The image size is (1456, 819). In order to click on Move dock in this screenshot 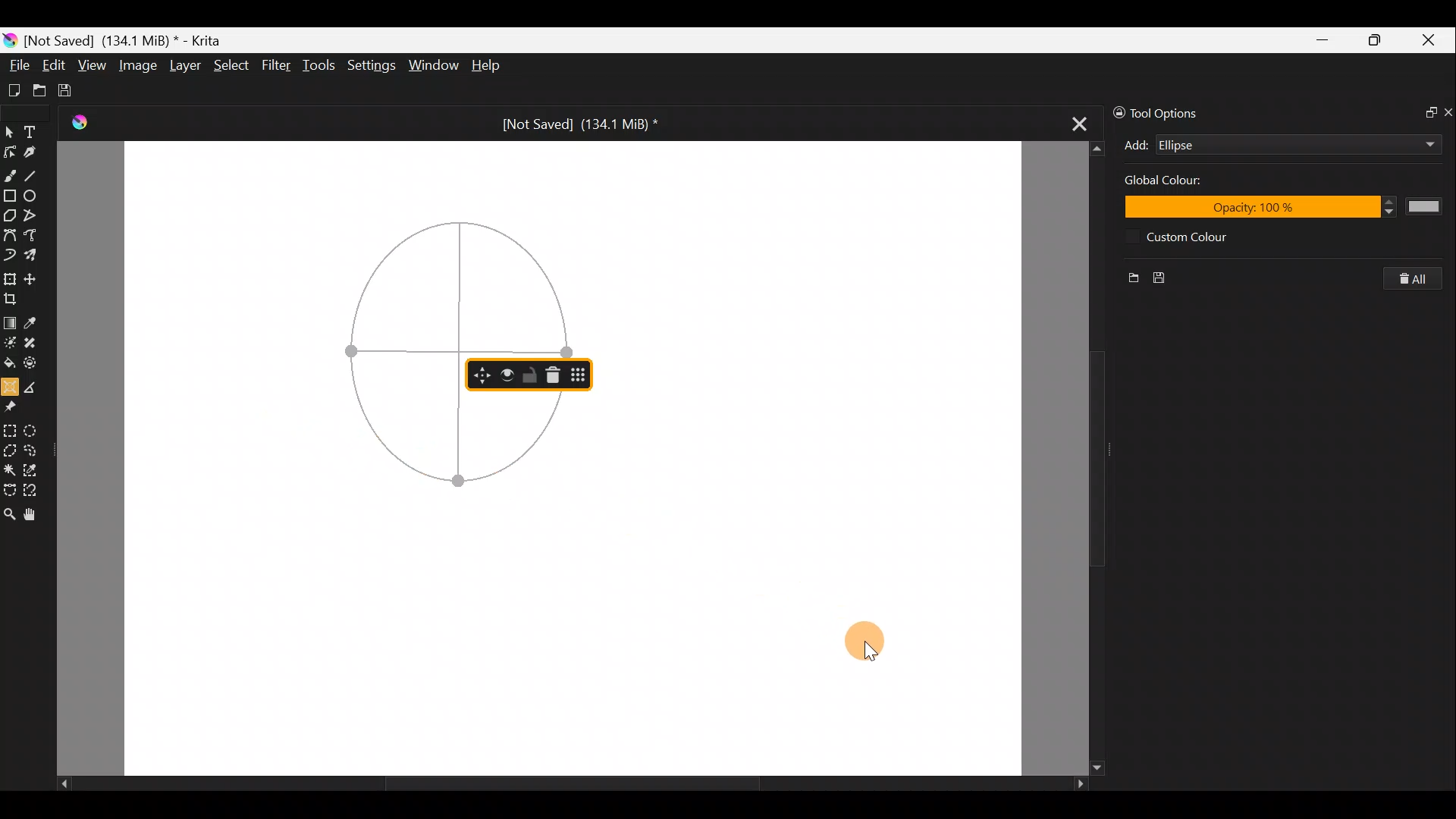, I will do `click(581, 375)`.